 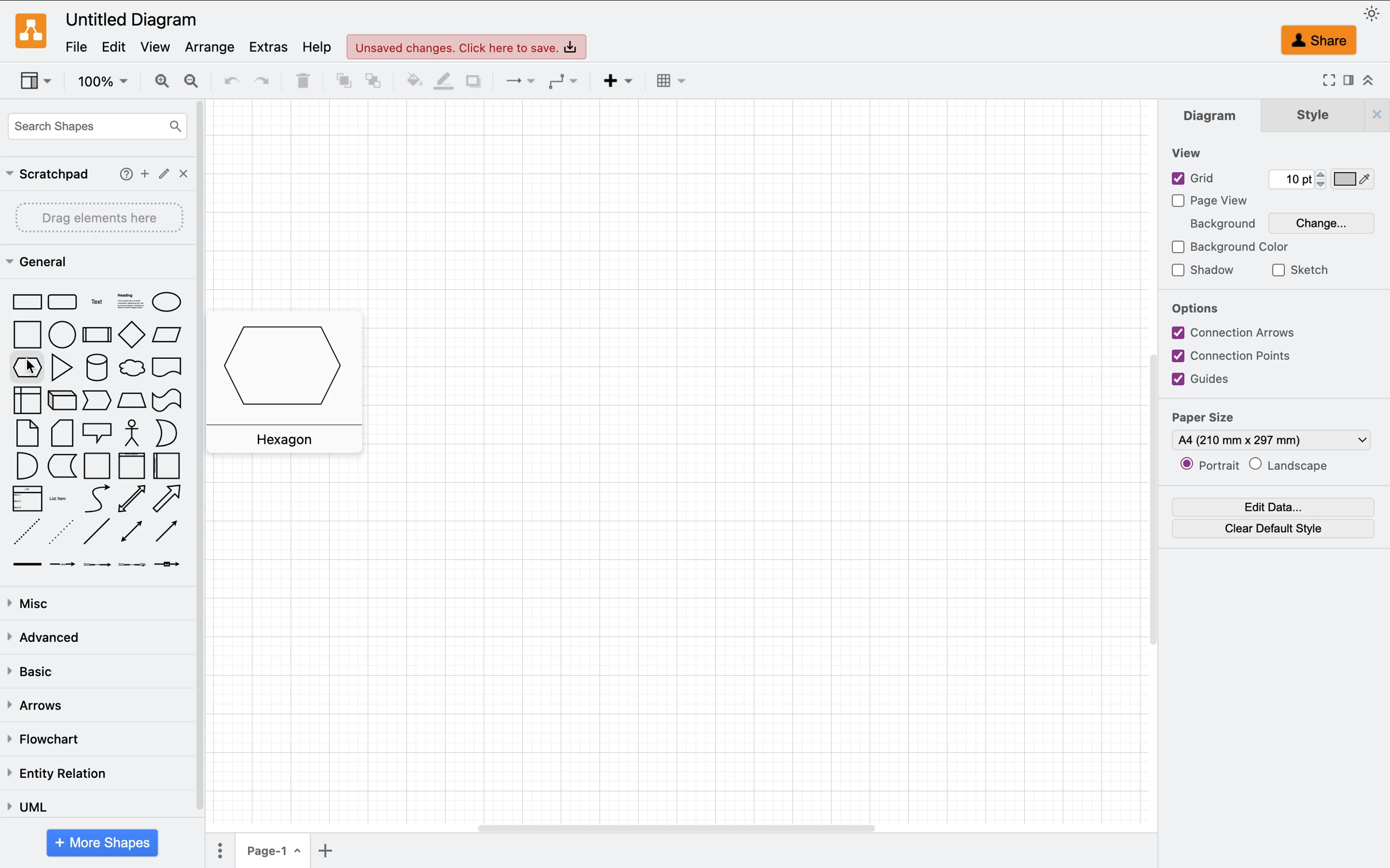 What do you see at coordinates (670, 827) in the screenshot?
I see `horizontal page scroll bar` at bounding box center [670, 827].